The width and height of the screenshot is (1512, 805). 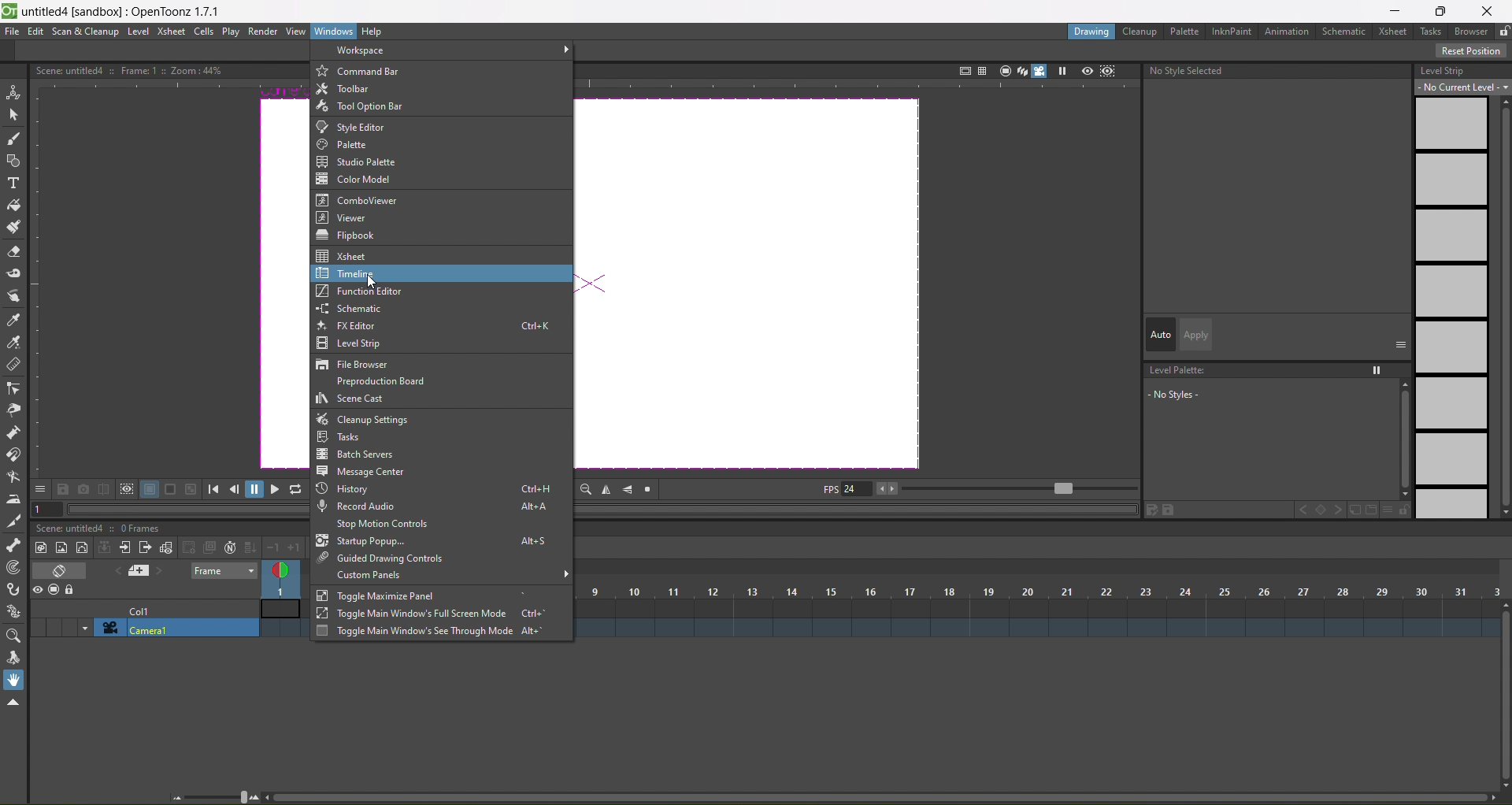 I want to click on add new memo, so click(x=140, y=572).